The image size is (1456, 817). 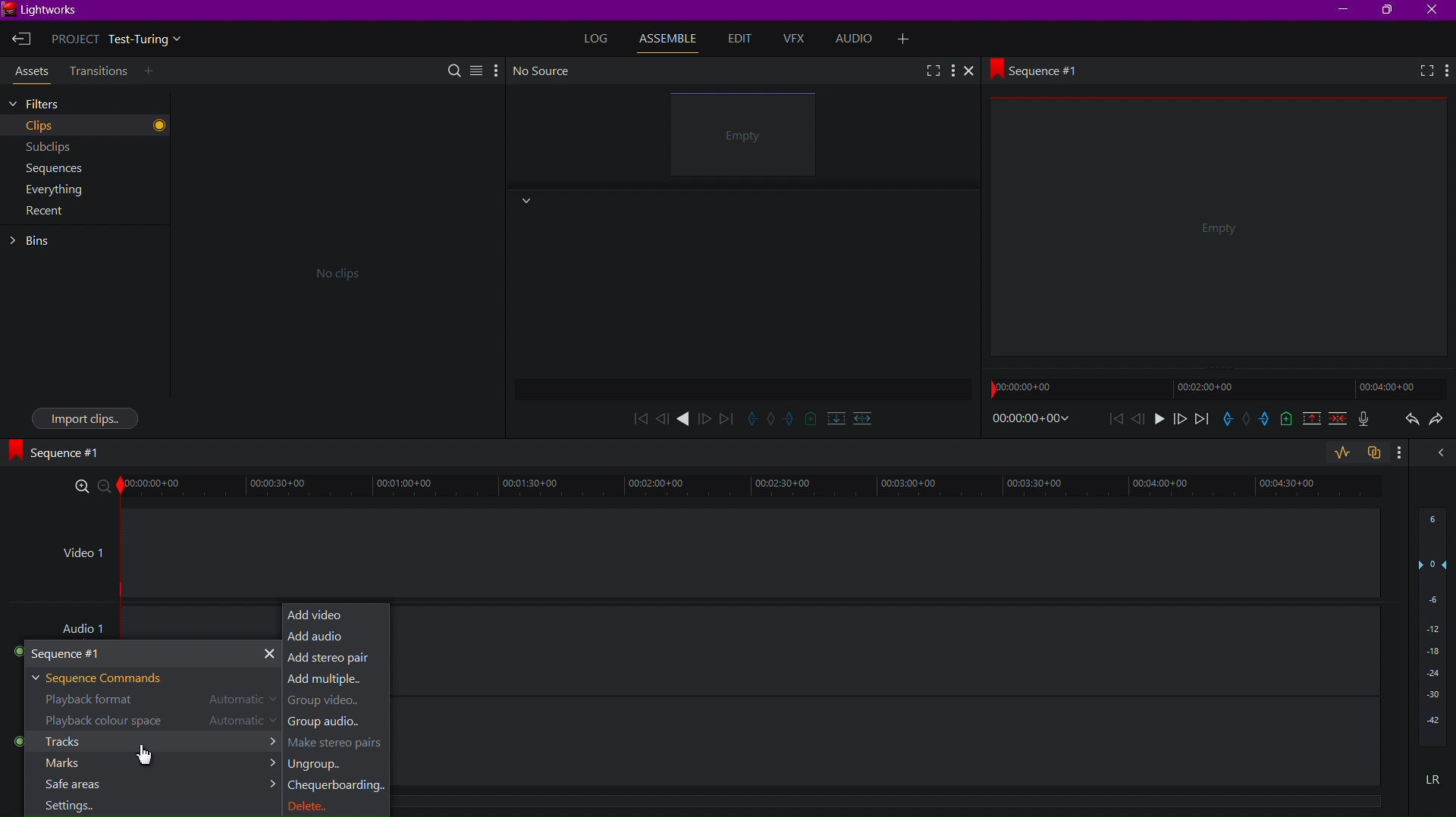 I want to click on Chequerboarding, so click(x=336, y=787).